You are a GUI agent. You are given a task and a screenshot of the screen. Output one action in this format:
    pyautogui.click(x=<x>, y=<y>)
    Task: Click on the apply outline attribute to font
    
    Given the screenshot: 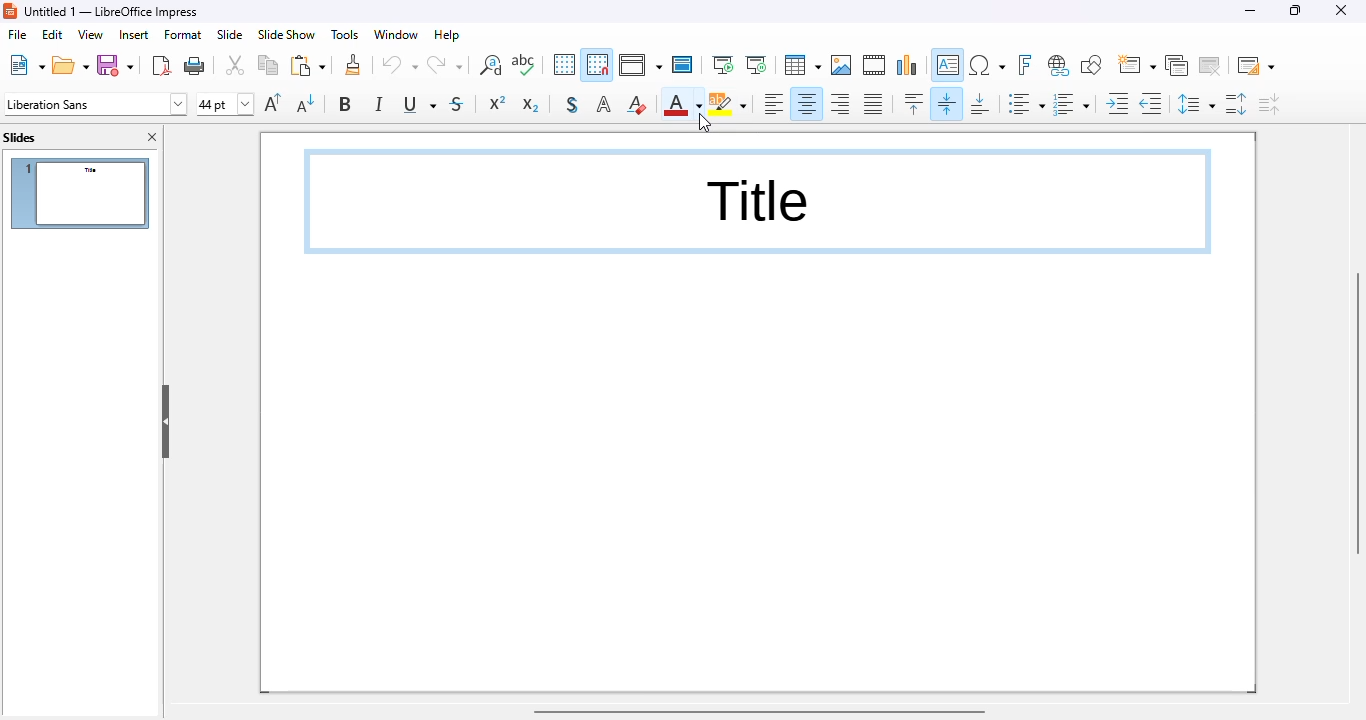 What is the action you would take?
    pyautogui.click(x=604, y=105)
    